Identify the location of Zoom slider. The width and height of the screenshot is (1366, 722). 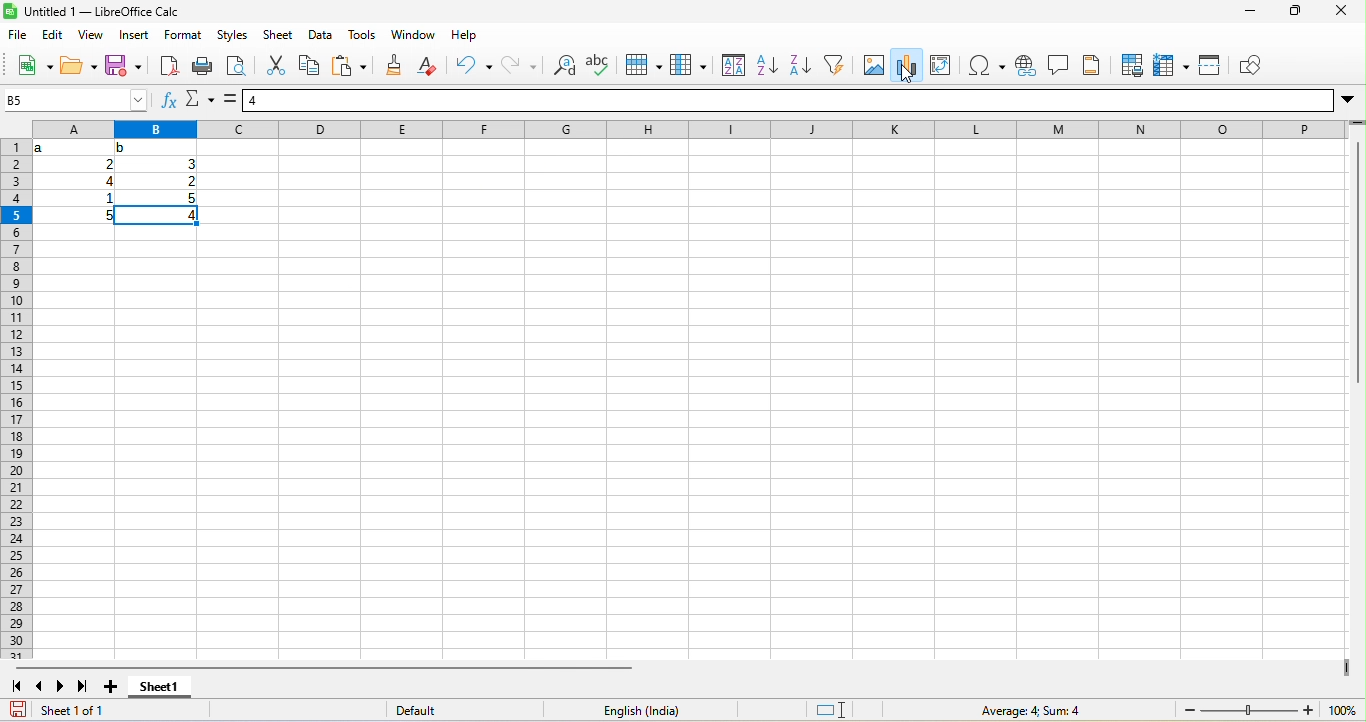
(1249, 710).